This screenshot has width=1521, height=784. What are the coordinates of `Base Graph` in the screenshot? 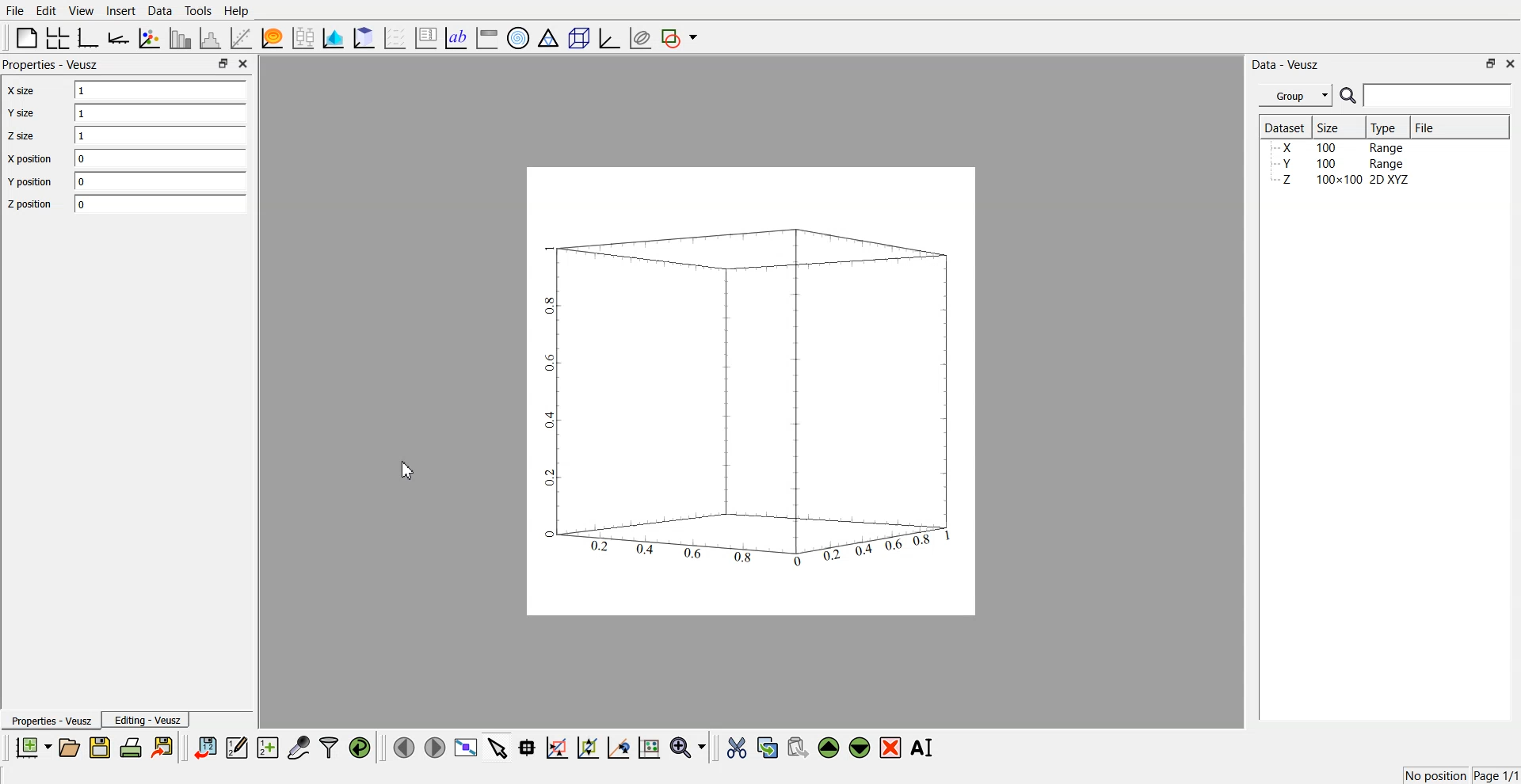 It's located at (89, 38).